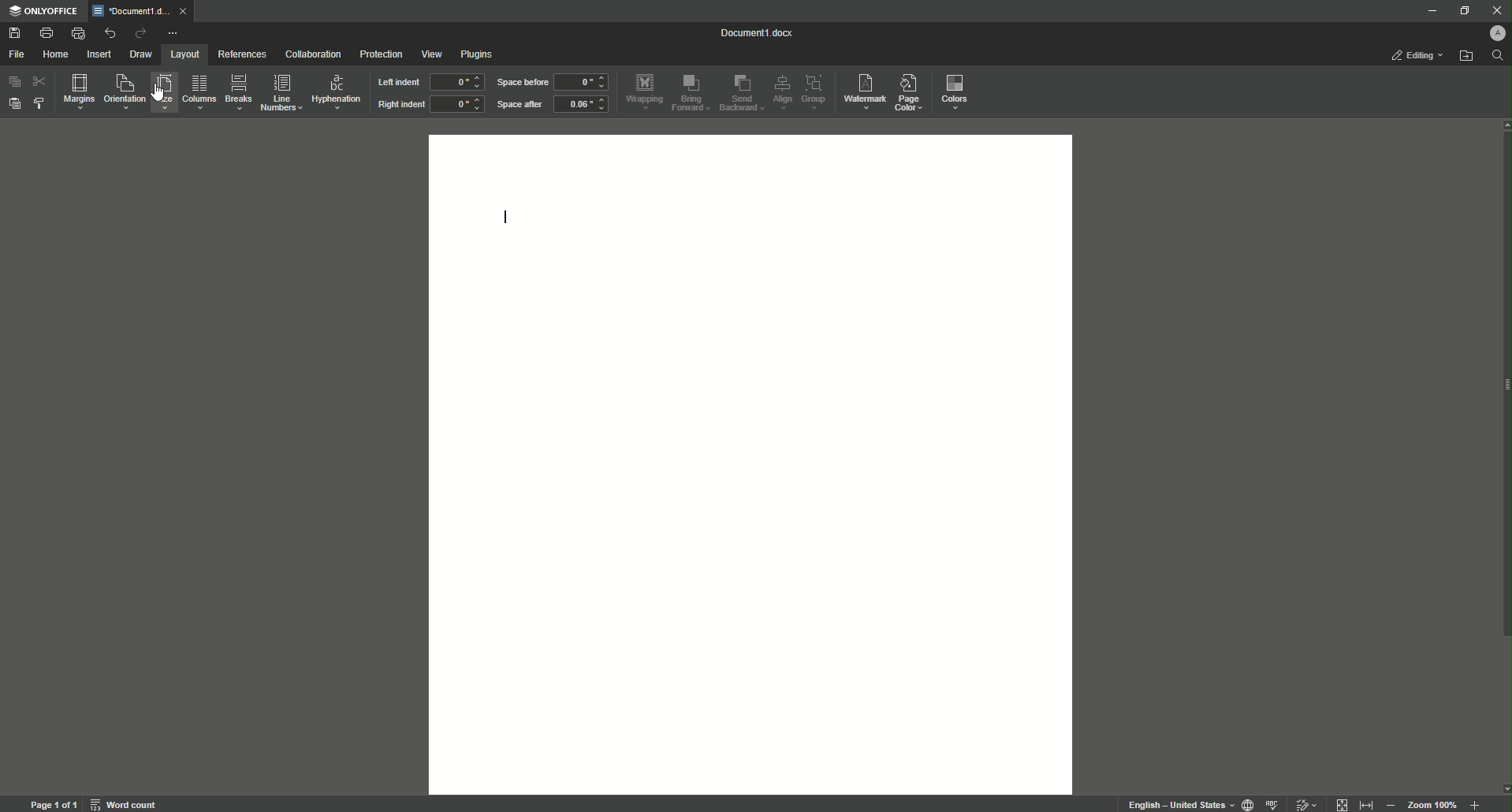 This screenshot has height=812, width=1512. What do you see at coordinates (16, 32) in the screenshot?
I see `Save` at bounding box center [16, 32].